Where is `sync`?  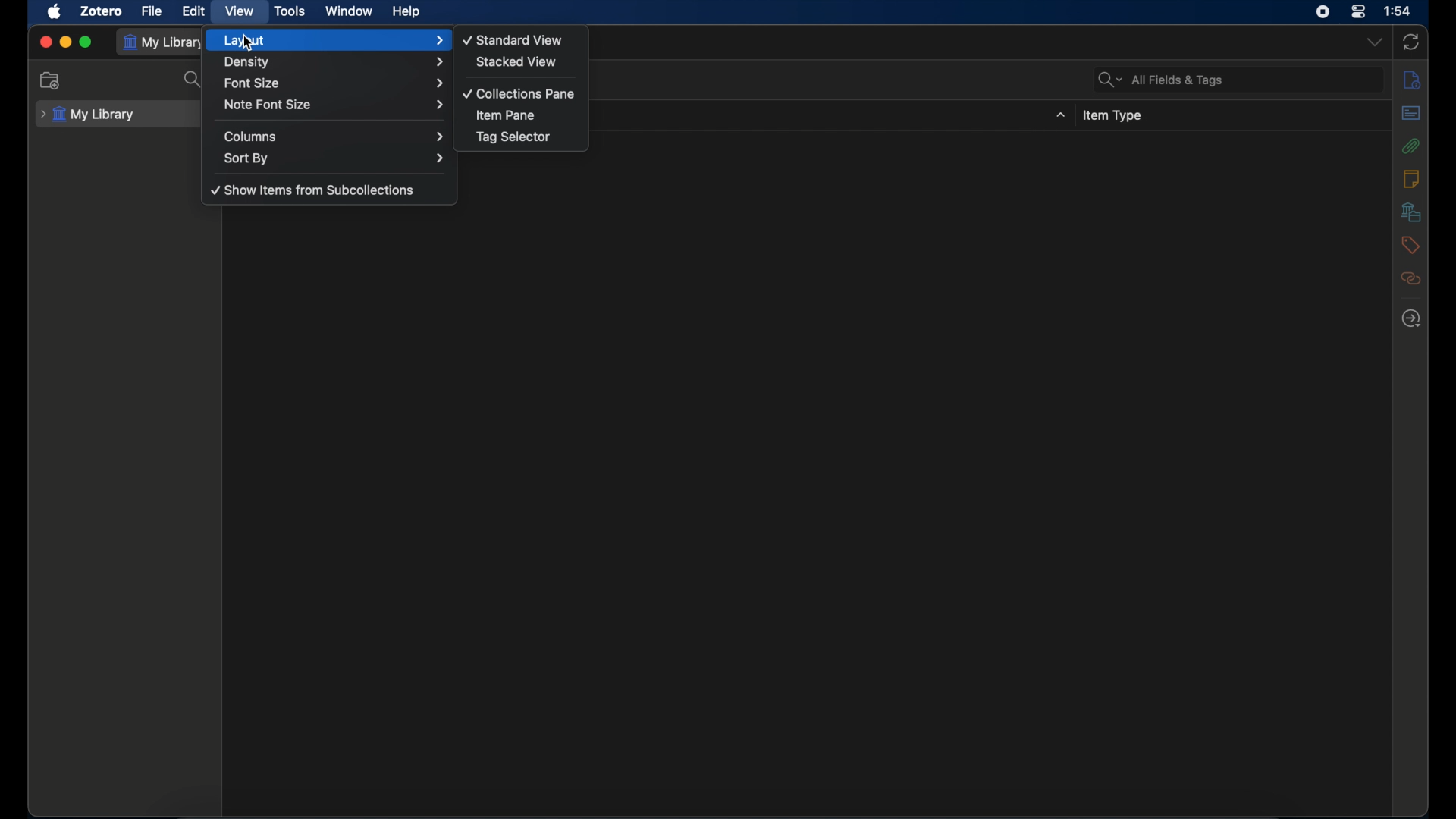
sync is located at coordinates (1410, 42).